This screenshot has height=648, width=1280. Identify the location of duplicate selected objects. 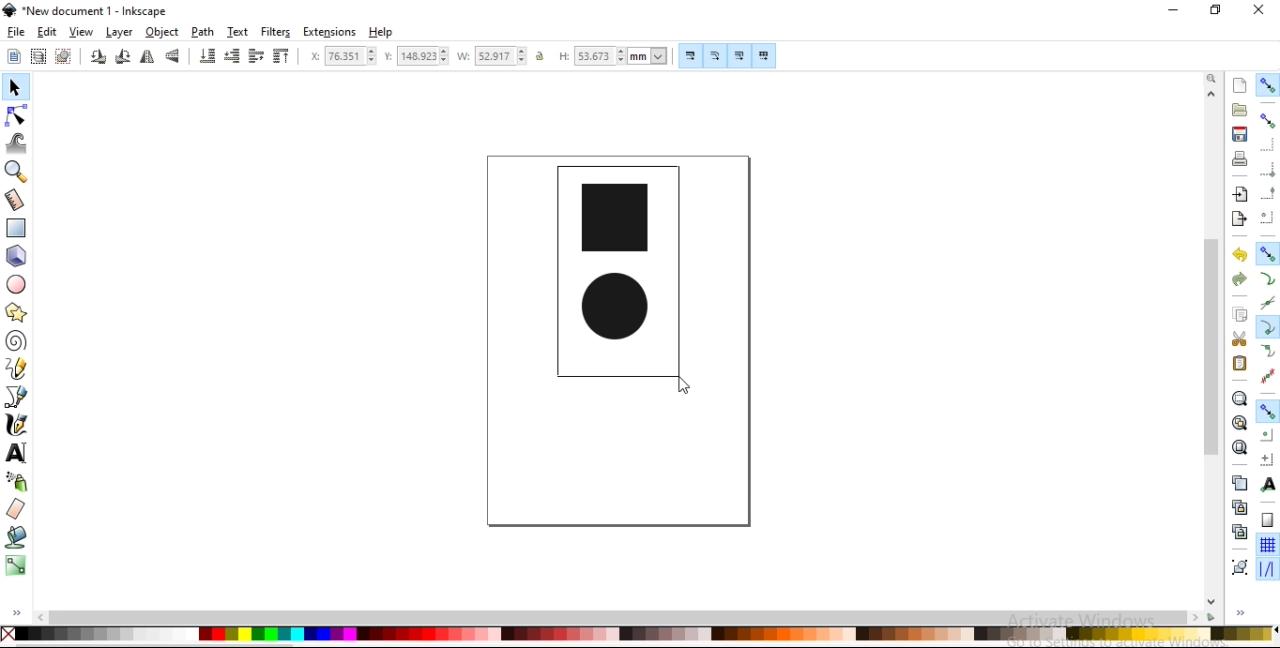
(1241, 485).